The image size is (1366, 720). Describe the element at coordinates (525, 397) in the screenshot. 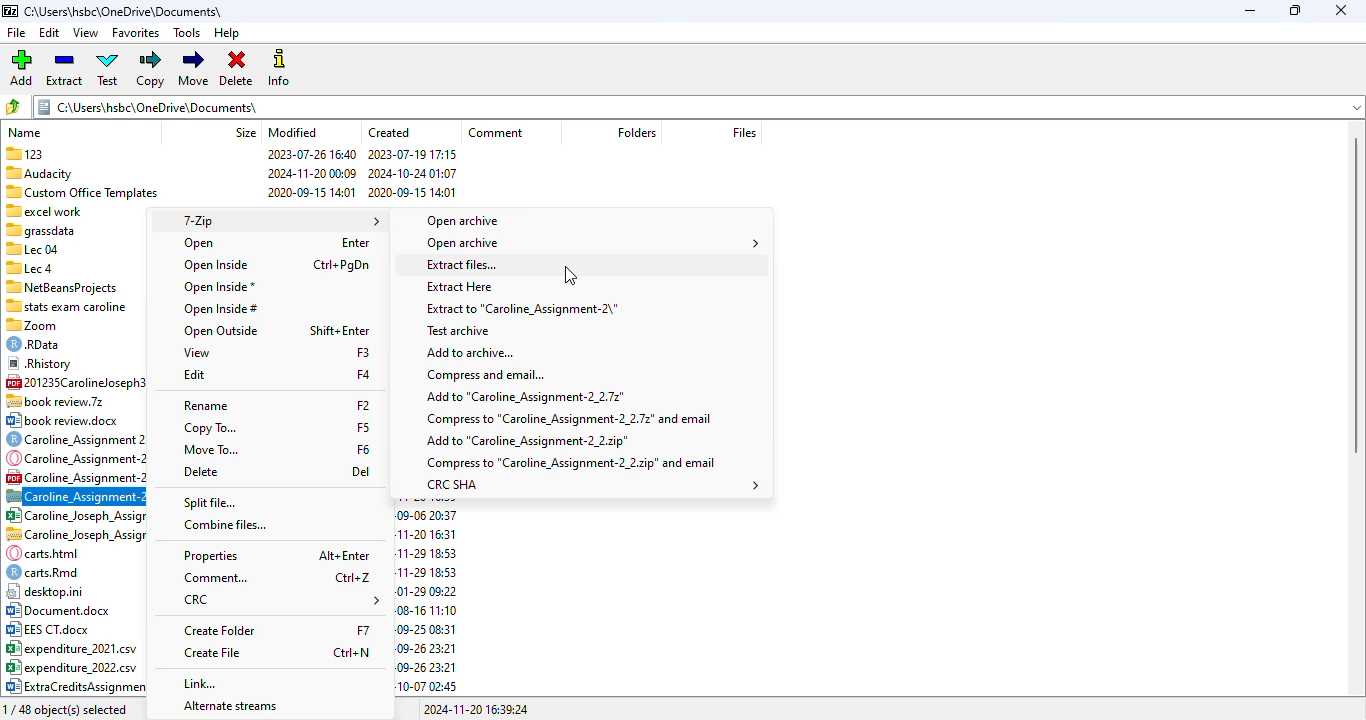

I see `add to .7z file` at that location.